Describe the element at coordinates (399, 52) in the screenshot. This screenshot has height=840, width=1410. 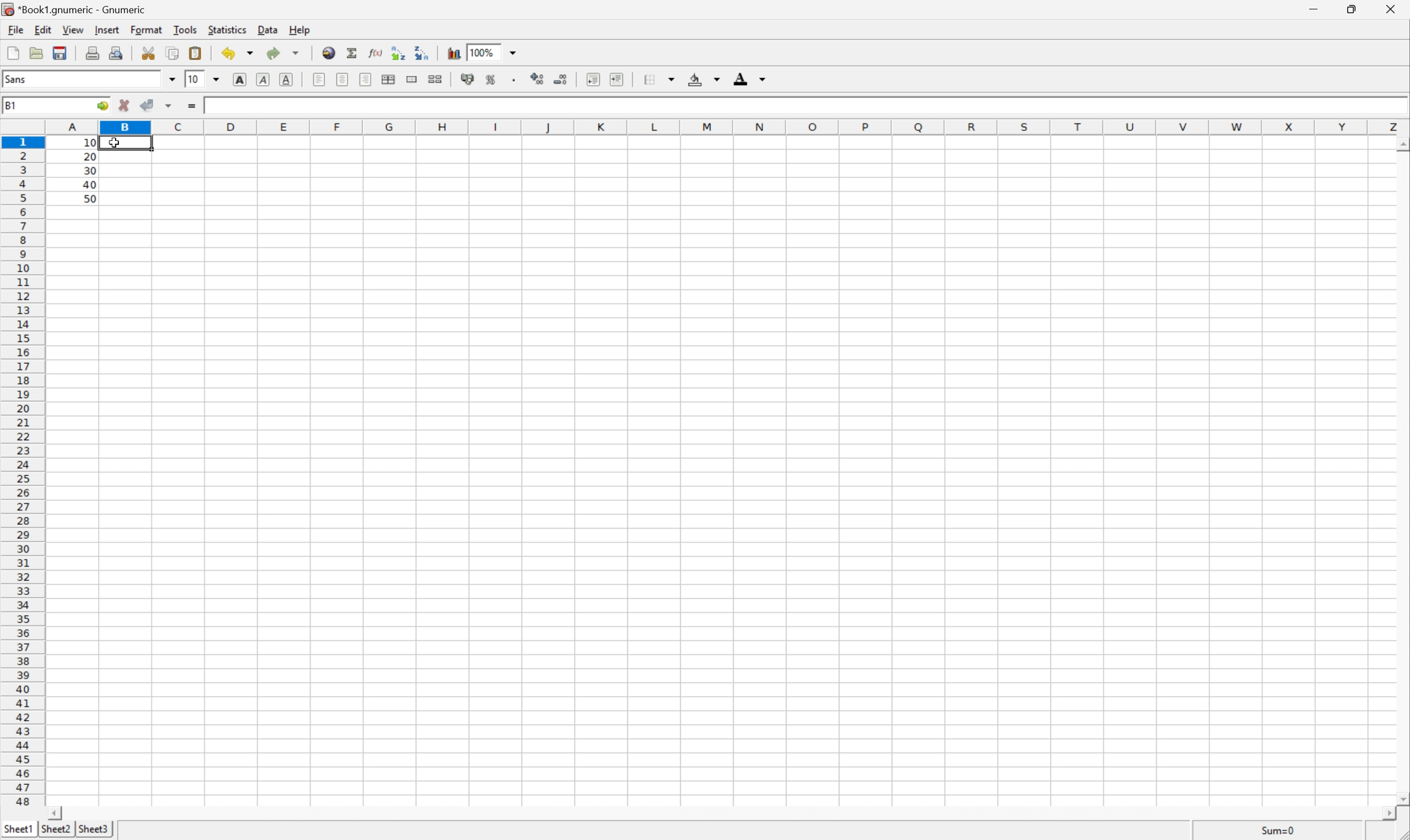
I see `Sort the selected region in ascending order based on the first column selected` at that location.